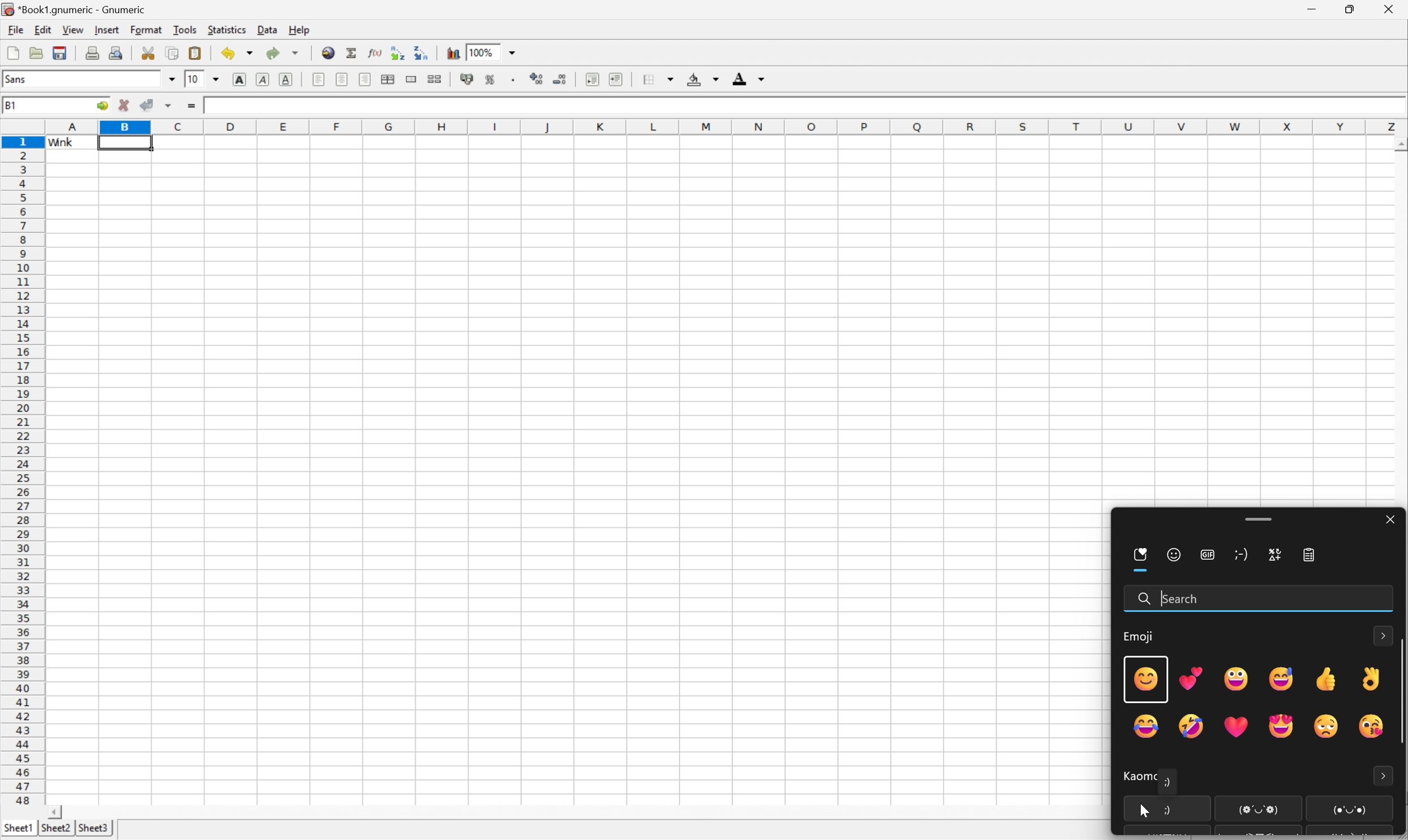 This screenshot has width=1408, height=840. Describe the element at coordinates (225, 31) in the screenshot. I see `statistics` at that location.